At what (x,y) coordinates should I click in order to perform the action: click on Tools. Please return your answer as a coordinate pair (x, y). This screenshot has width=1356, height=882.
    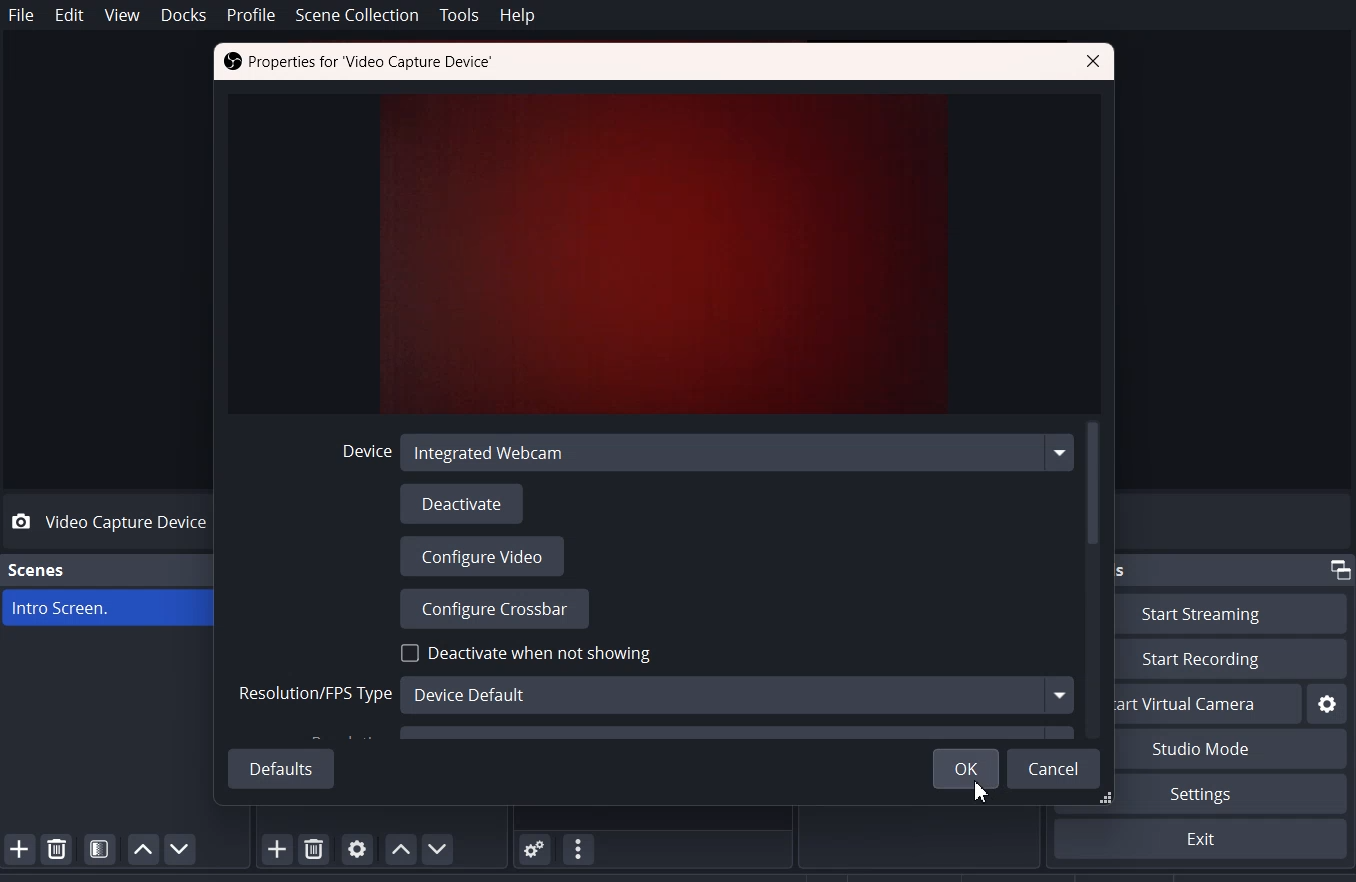
    Looking at the image, I should click on (459, 16).